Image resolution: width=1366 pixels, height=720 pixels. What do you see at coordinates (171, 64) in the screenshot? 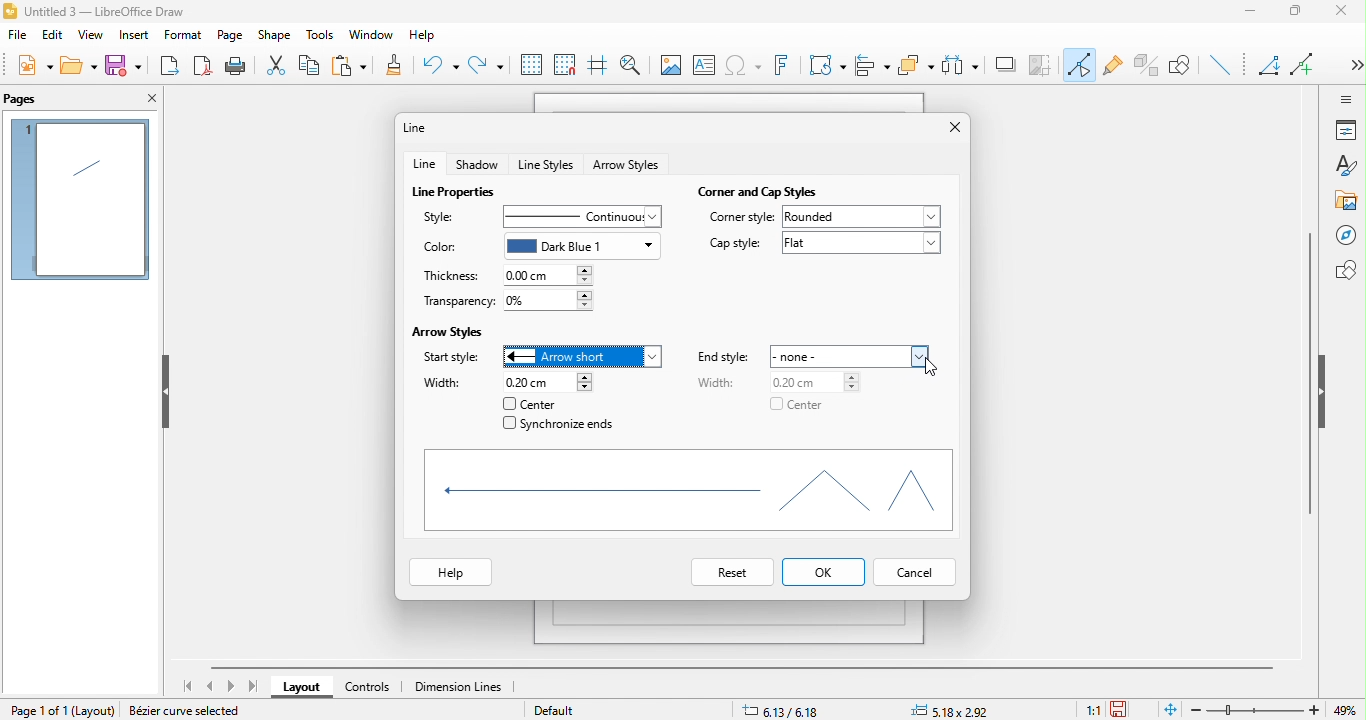
I see `export` at bounding box center [171, 64].